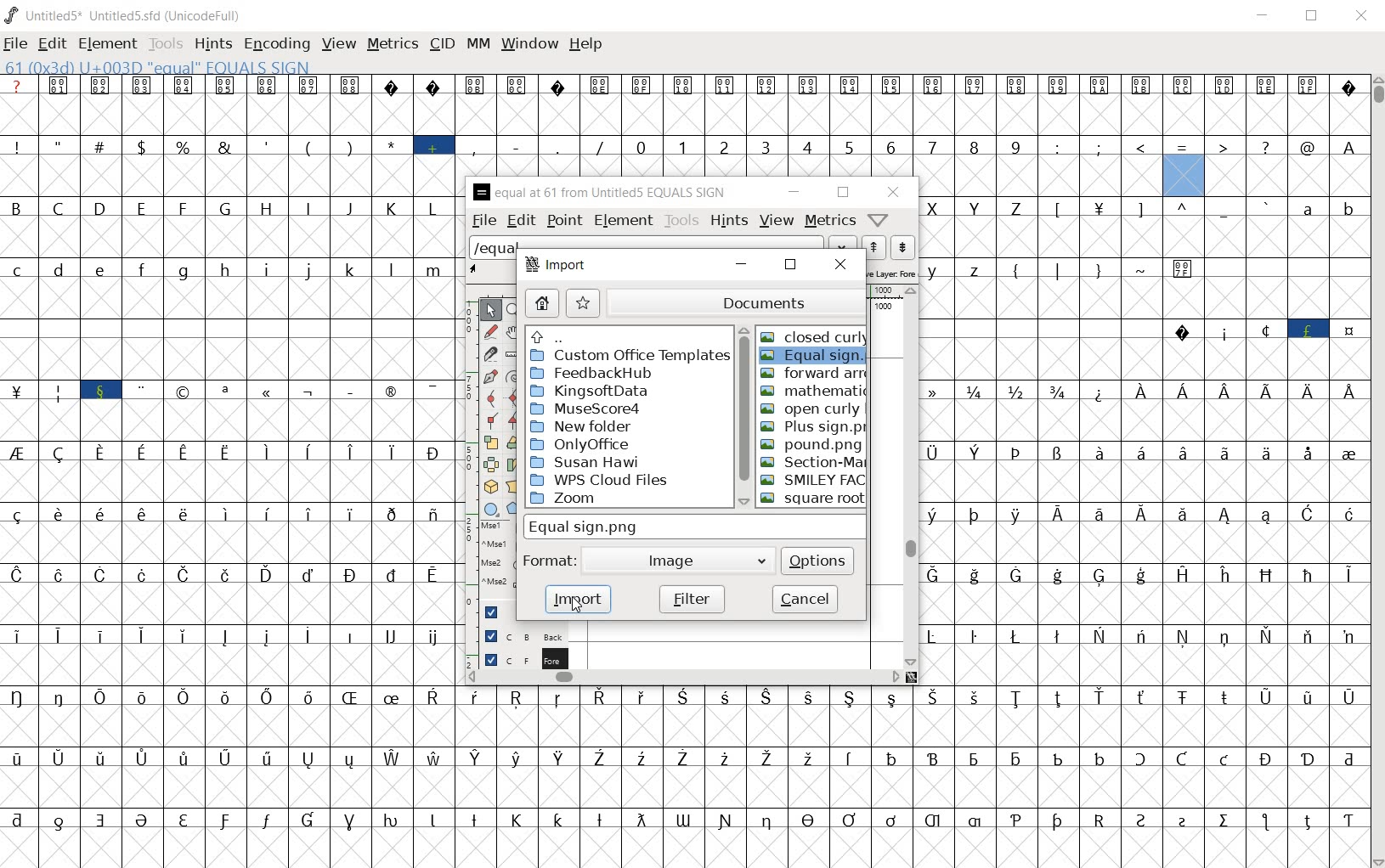  What do you see at coordinates (817, 561) in the screenshot?
I see `options` at bounding box center [817, 561].